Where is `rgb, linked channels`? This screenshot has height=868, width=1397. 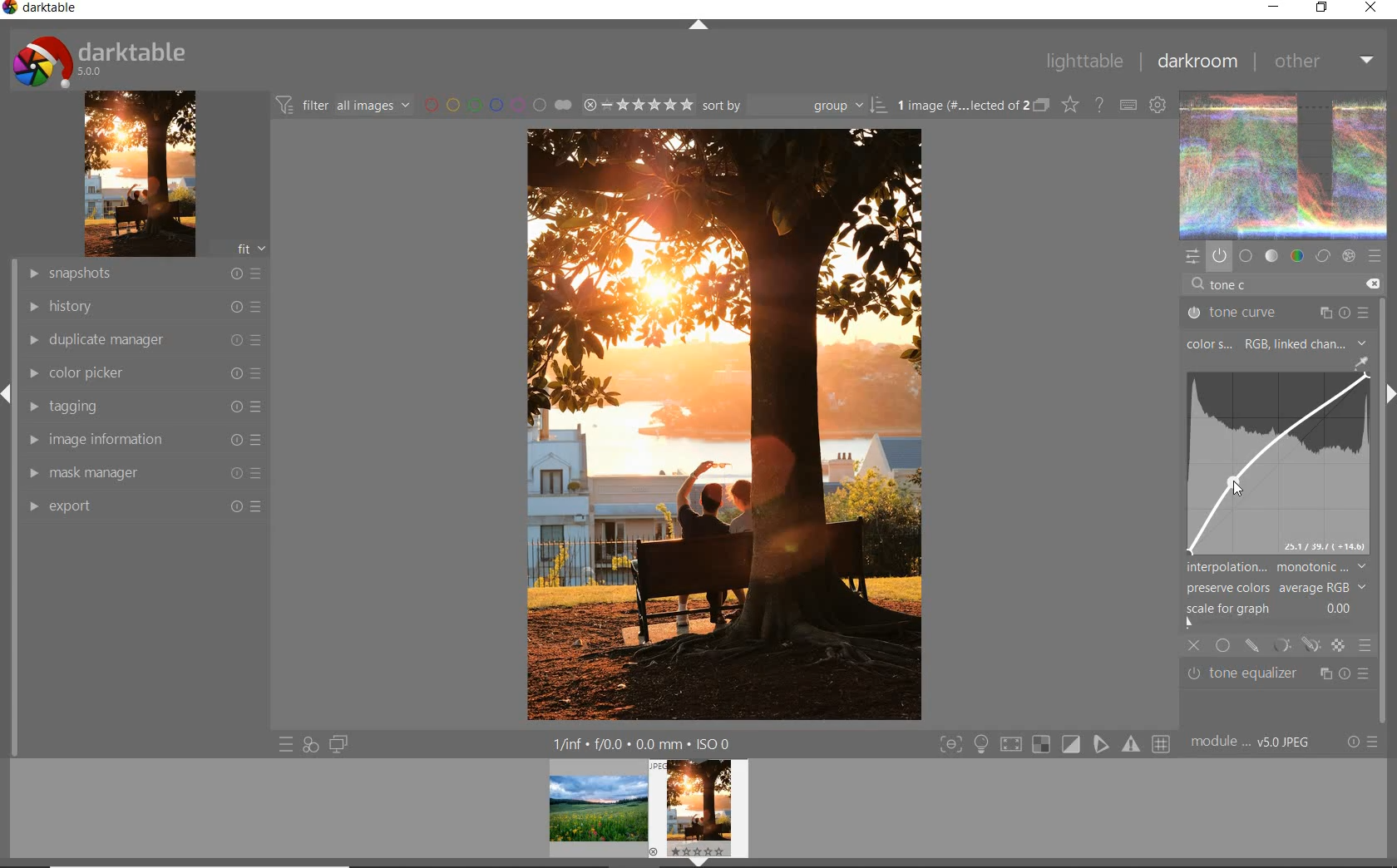 rgb, linked channels is located at coordinates (1307, 343).